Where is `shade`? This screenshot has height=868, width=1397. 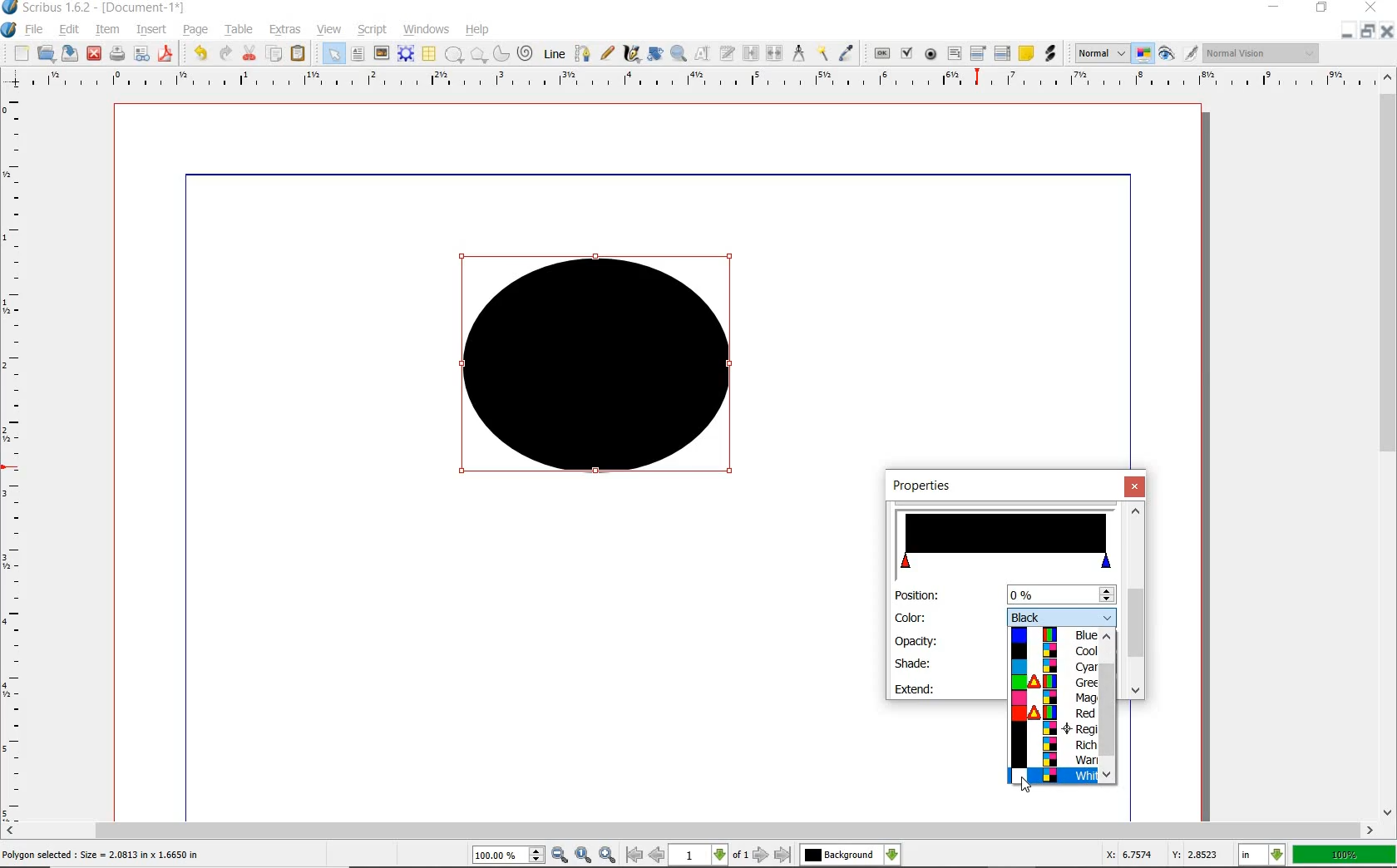
shade is located at coordinates (913, 663).